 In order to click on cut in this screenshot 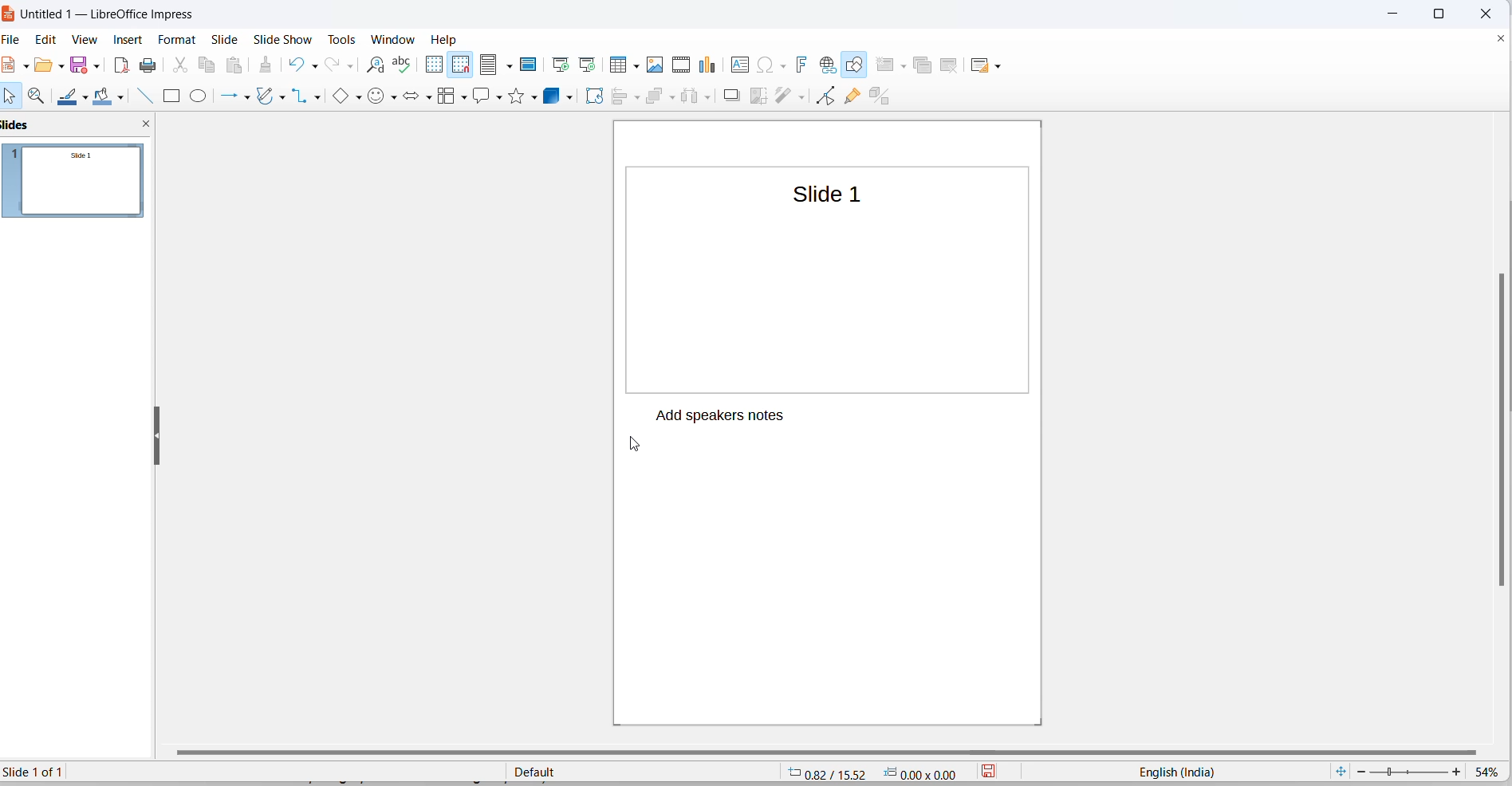, I will do `click(180, 65)`.